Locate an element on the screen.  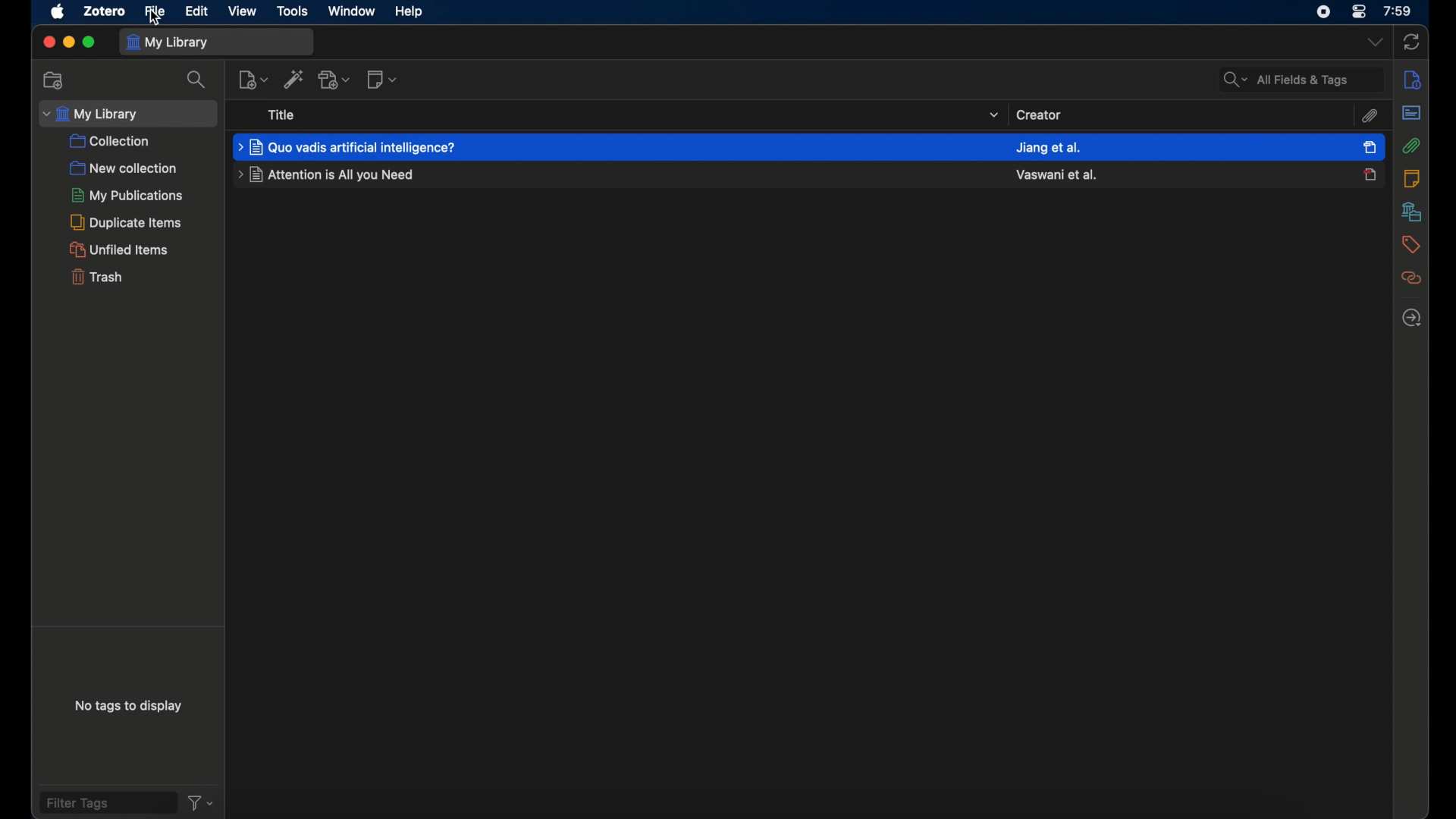
related is located at coordinates (1410, 279).